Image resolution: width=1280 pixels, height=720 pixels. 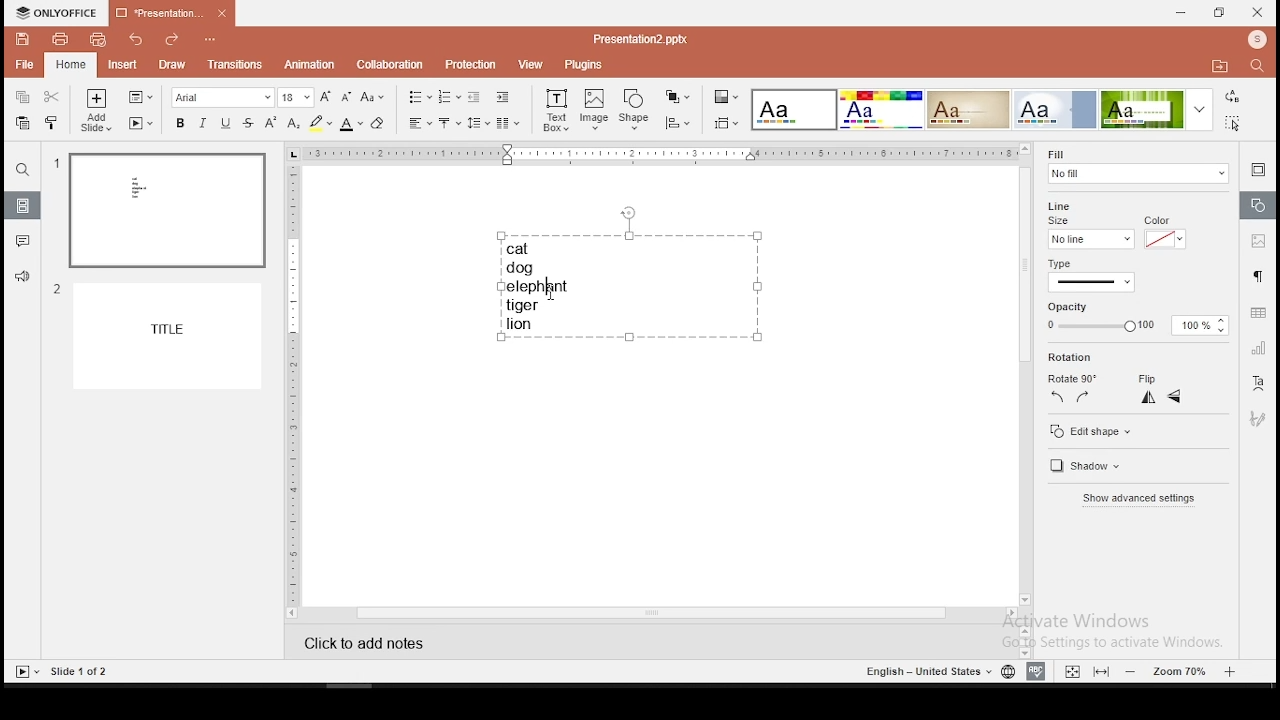 I want to click on decrease indent, so click(x=474, y=97).